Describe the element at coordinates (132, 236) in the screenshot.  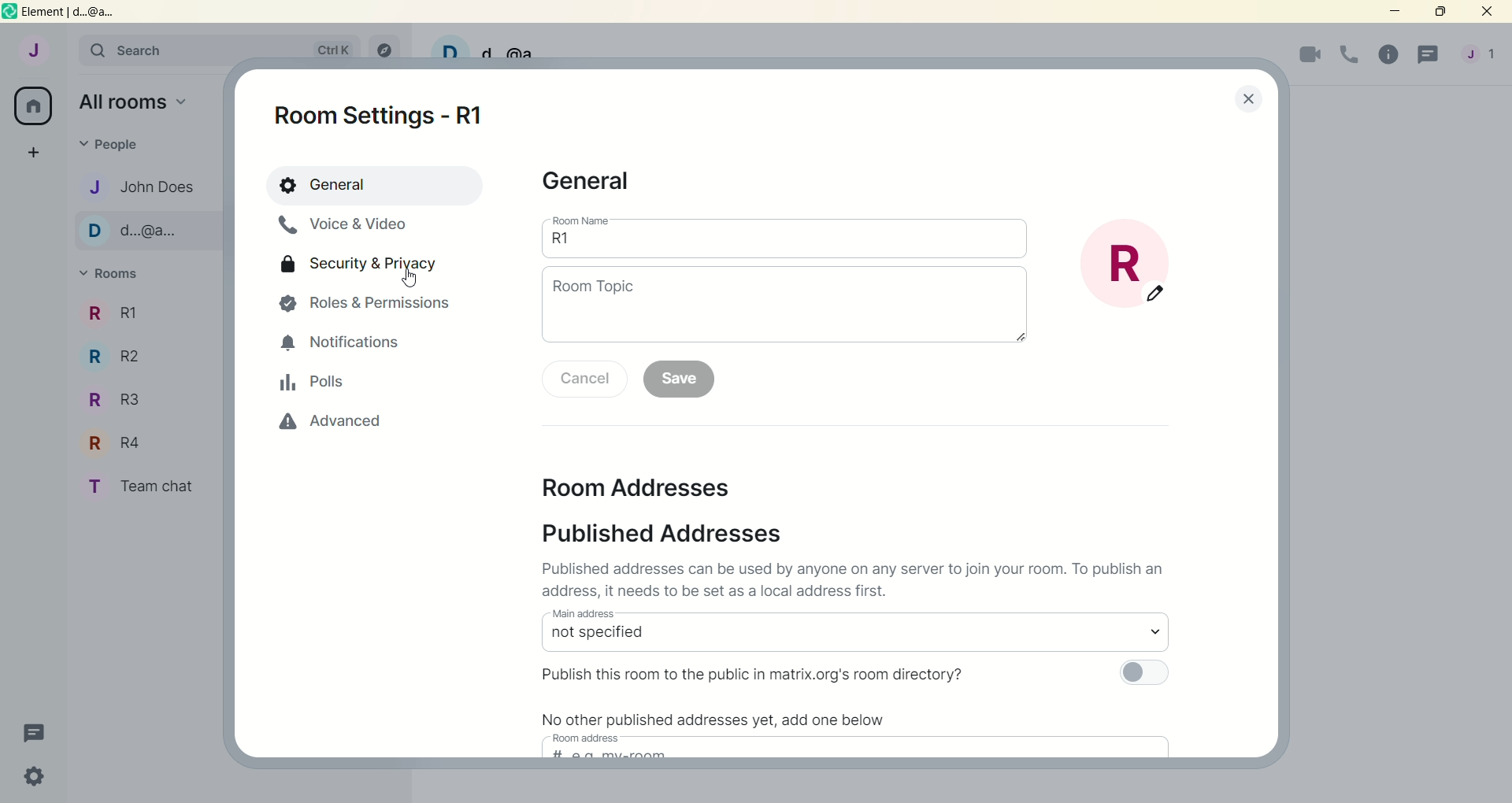
I see `D d.@a..` at that location.